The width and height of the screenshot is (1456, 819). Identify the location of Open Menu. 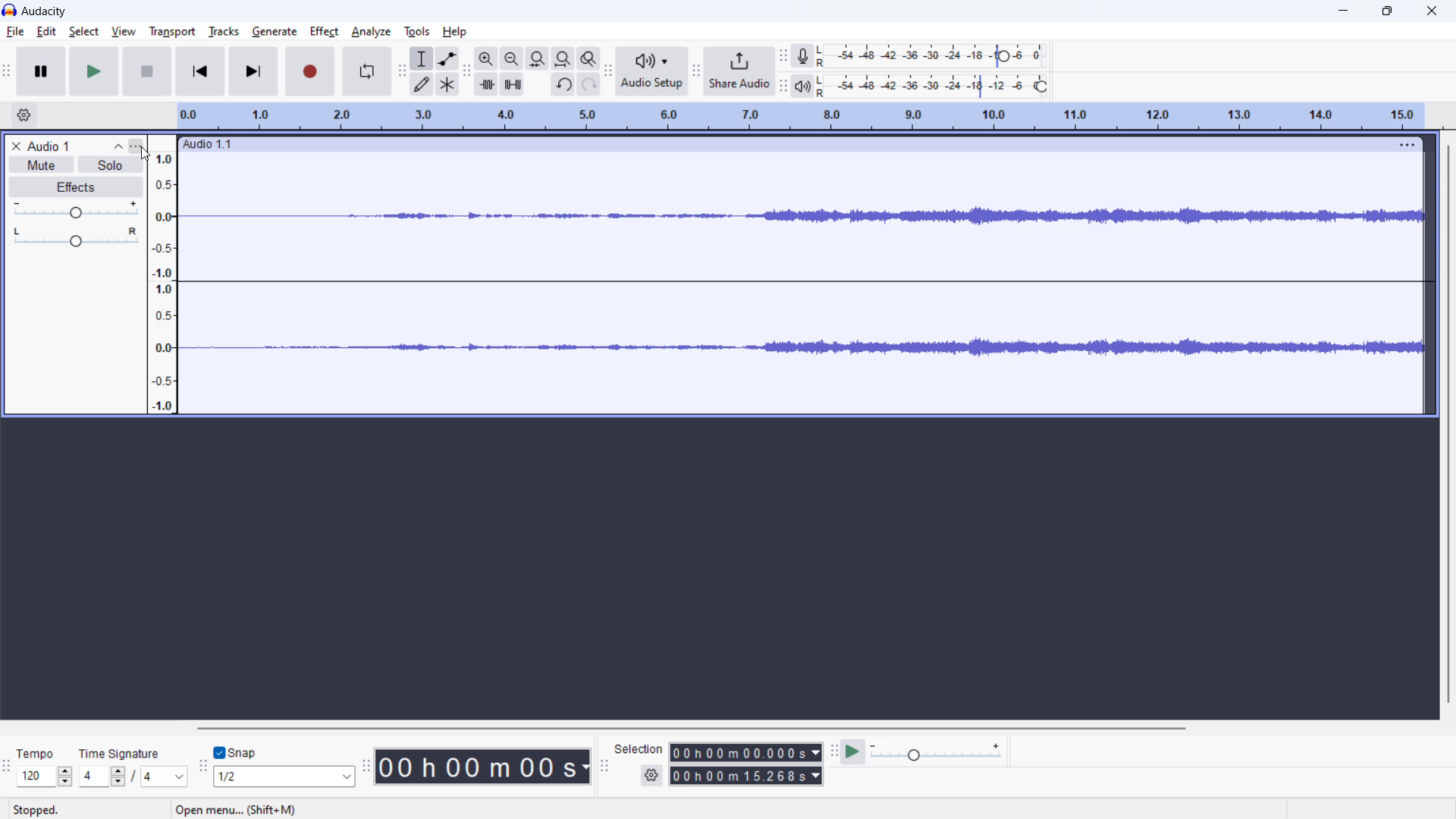
(234, 809).